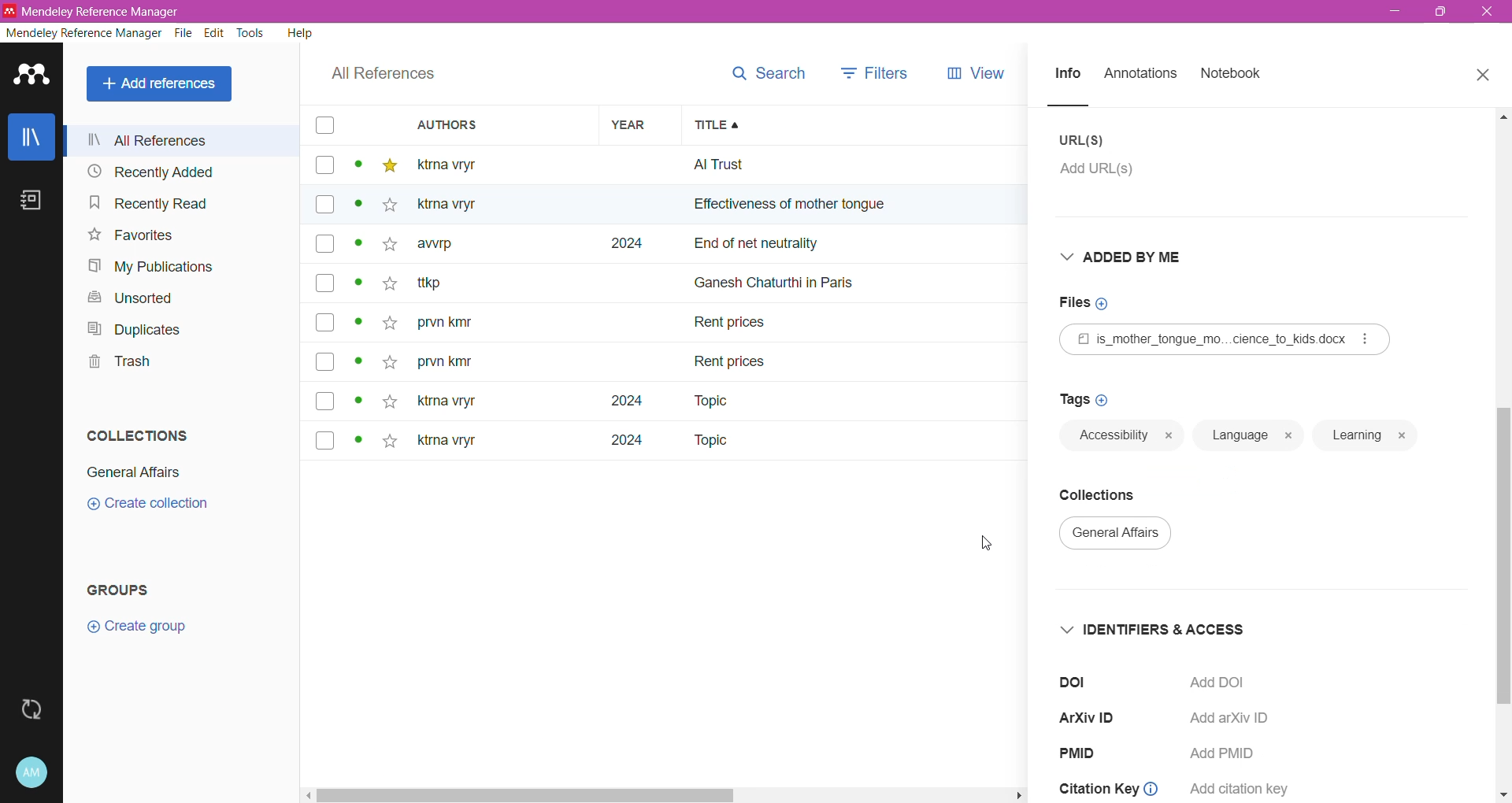  Describe the element at coordinates (32, 773) in the screenshot. I see `Account and Help` at that location.